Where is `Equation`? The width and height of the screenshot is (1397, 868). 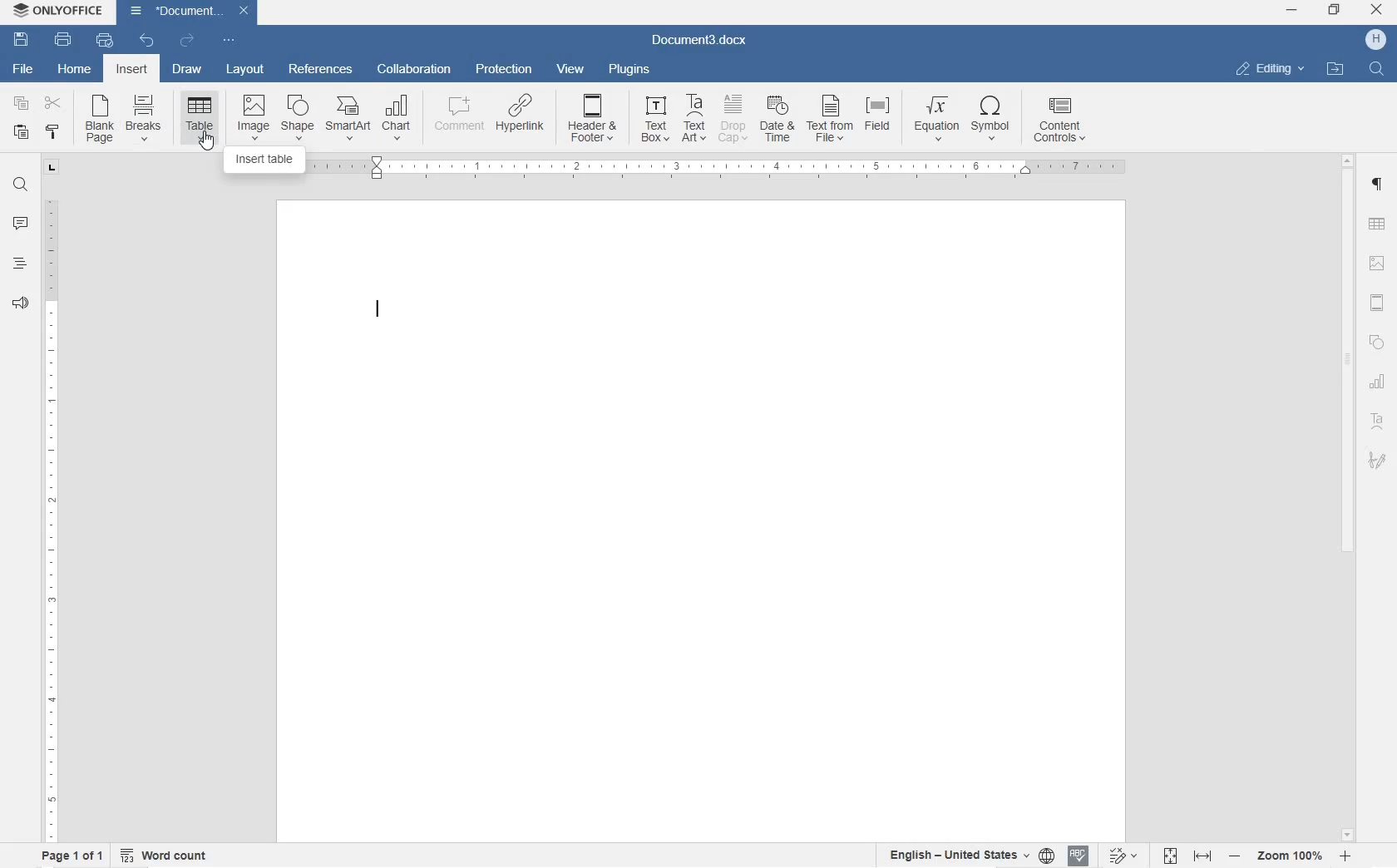
Equation is located at coordinates (936, 117).